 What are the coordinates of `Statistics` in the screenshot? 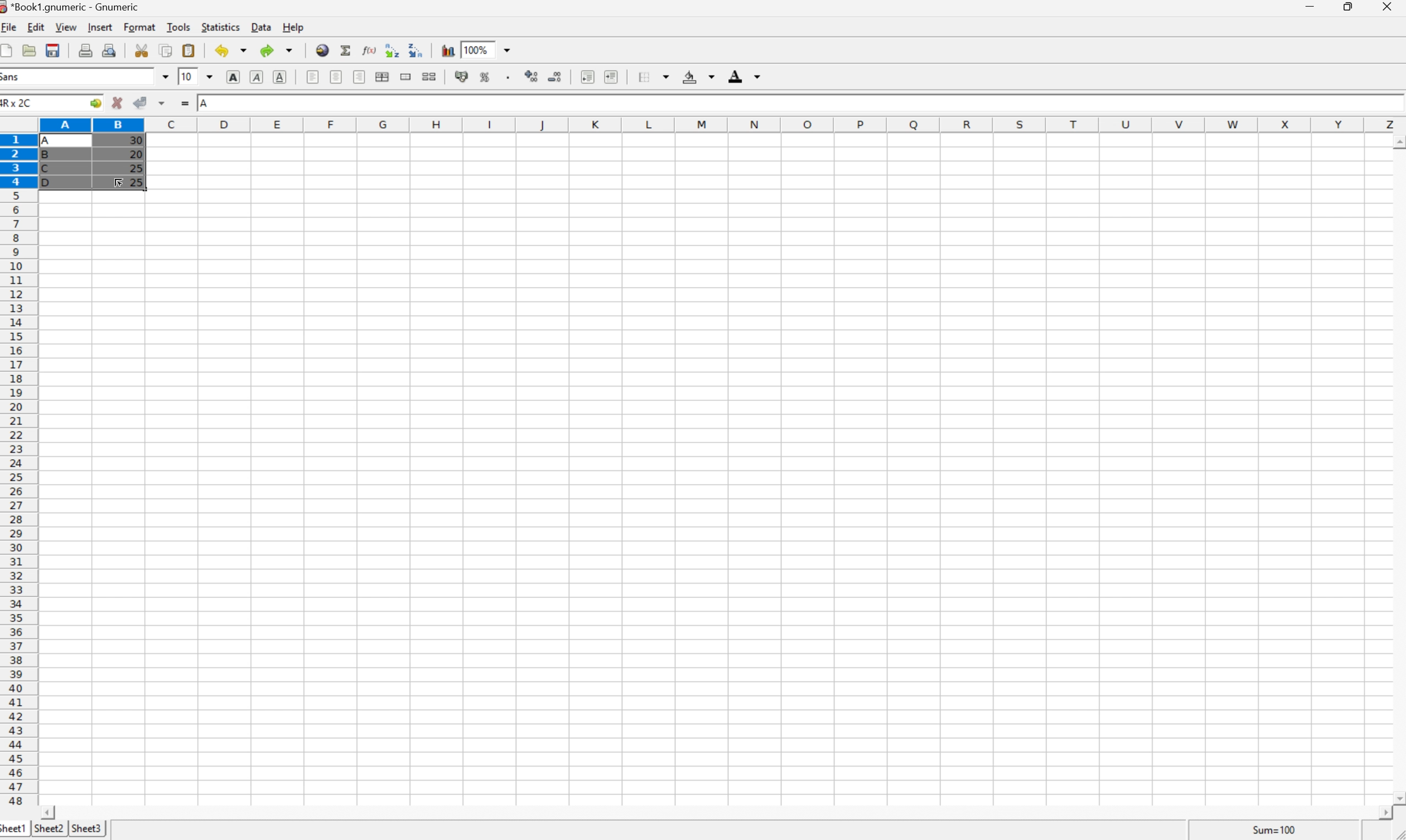 It's located at (221, 27).